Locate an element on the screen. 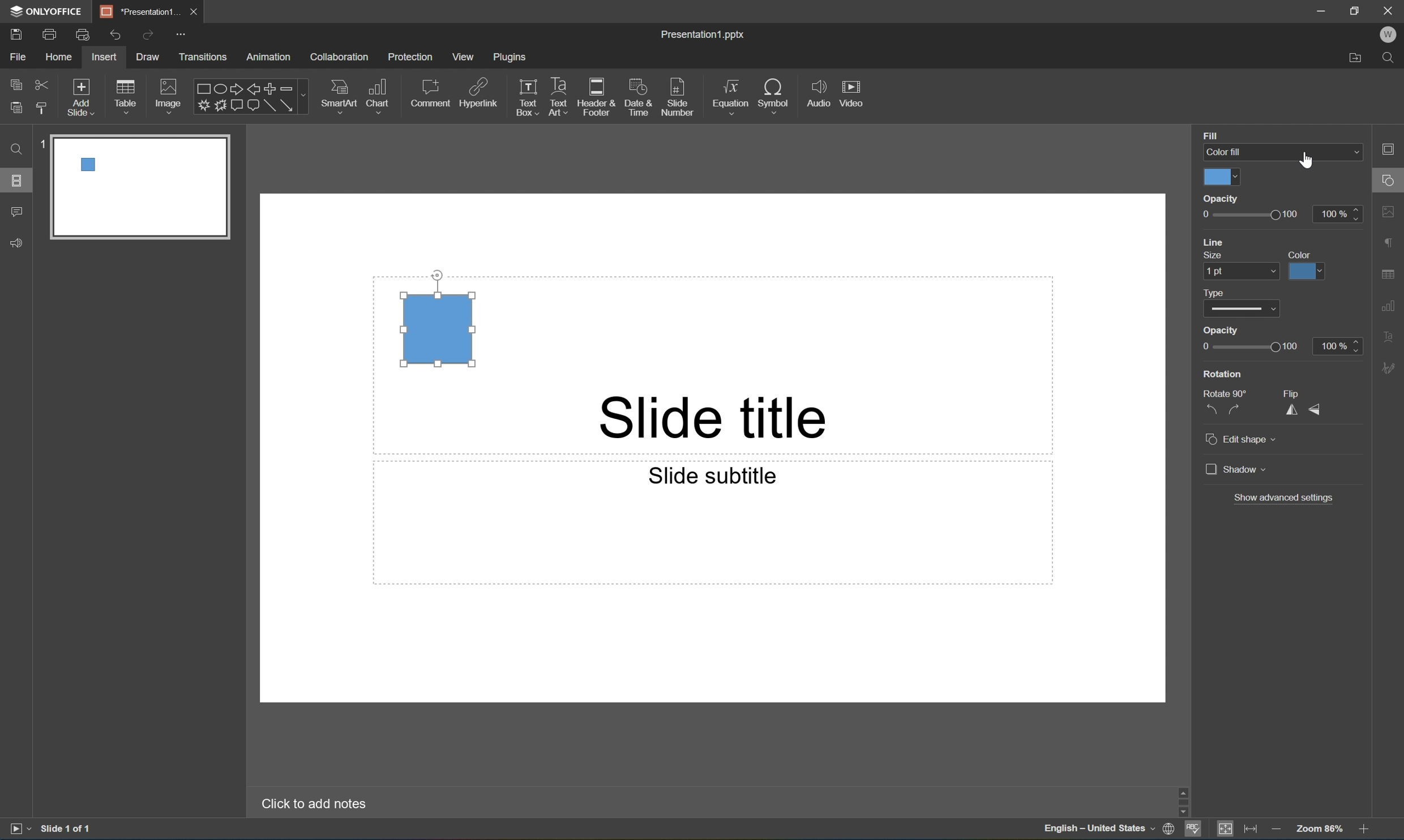 The height and width of the screenshot is (840, 1404). Presentation1... is located at coordinates (135, 11).